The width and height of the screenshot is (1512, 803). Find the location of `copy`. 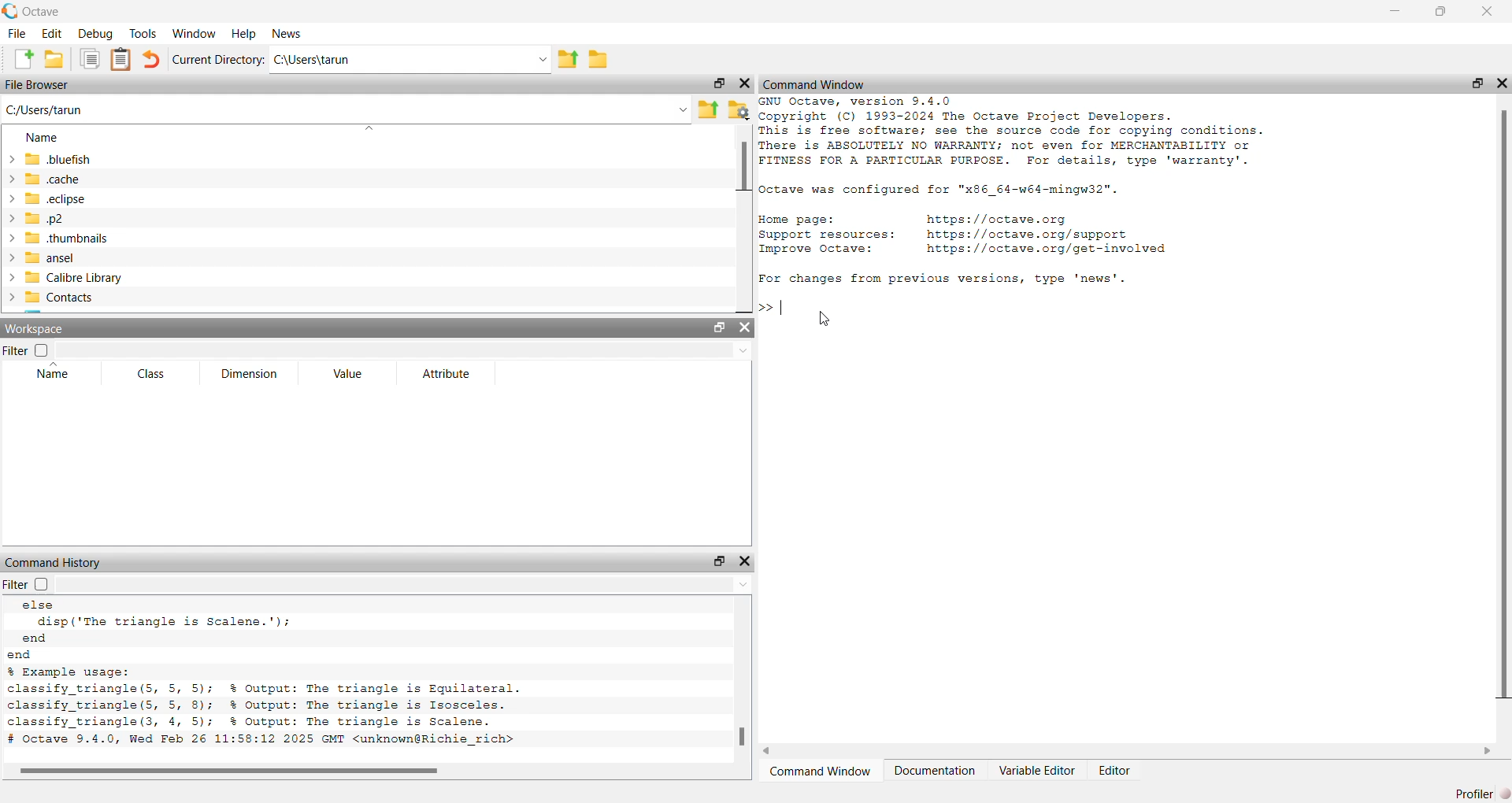

copy is located at coordinates (89, 61).